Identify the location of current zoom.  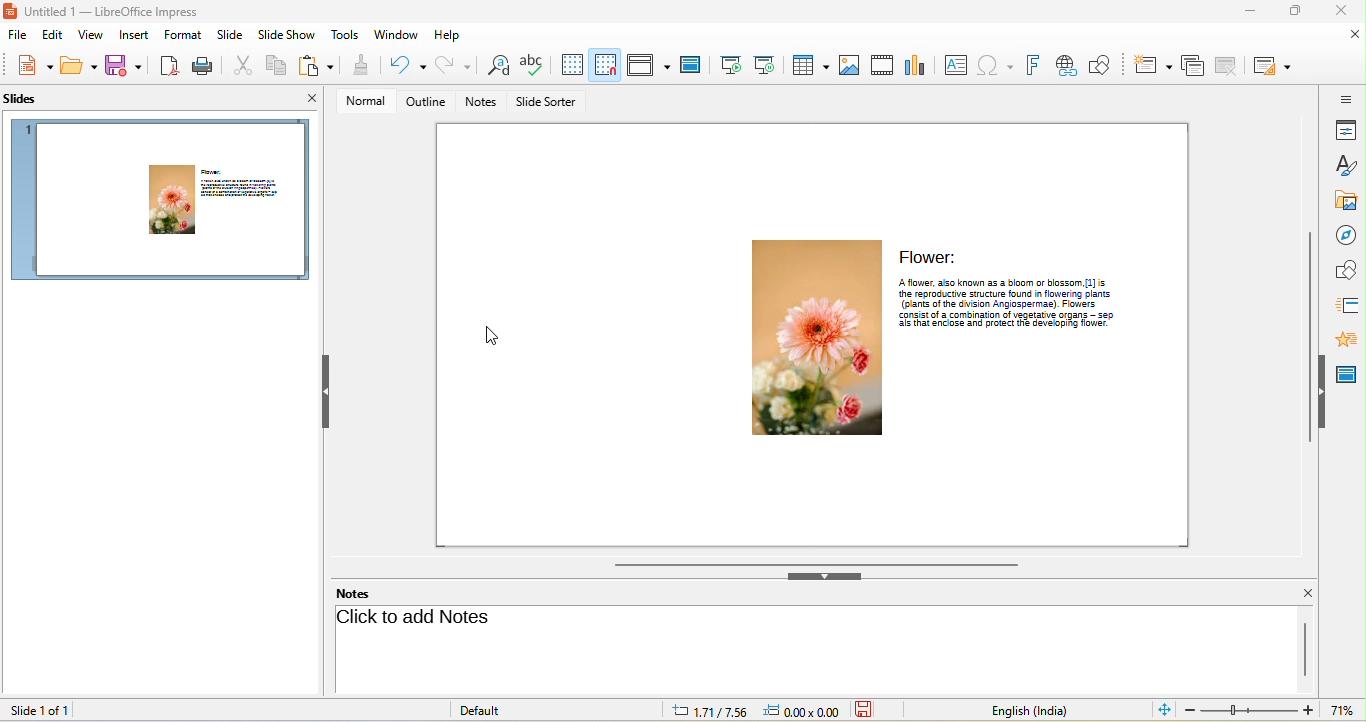
(1347, 711).